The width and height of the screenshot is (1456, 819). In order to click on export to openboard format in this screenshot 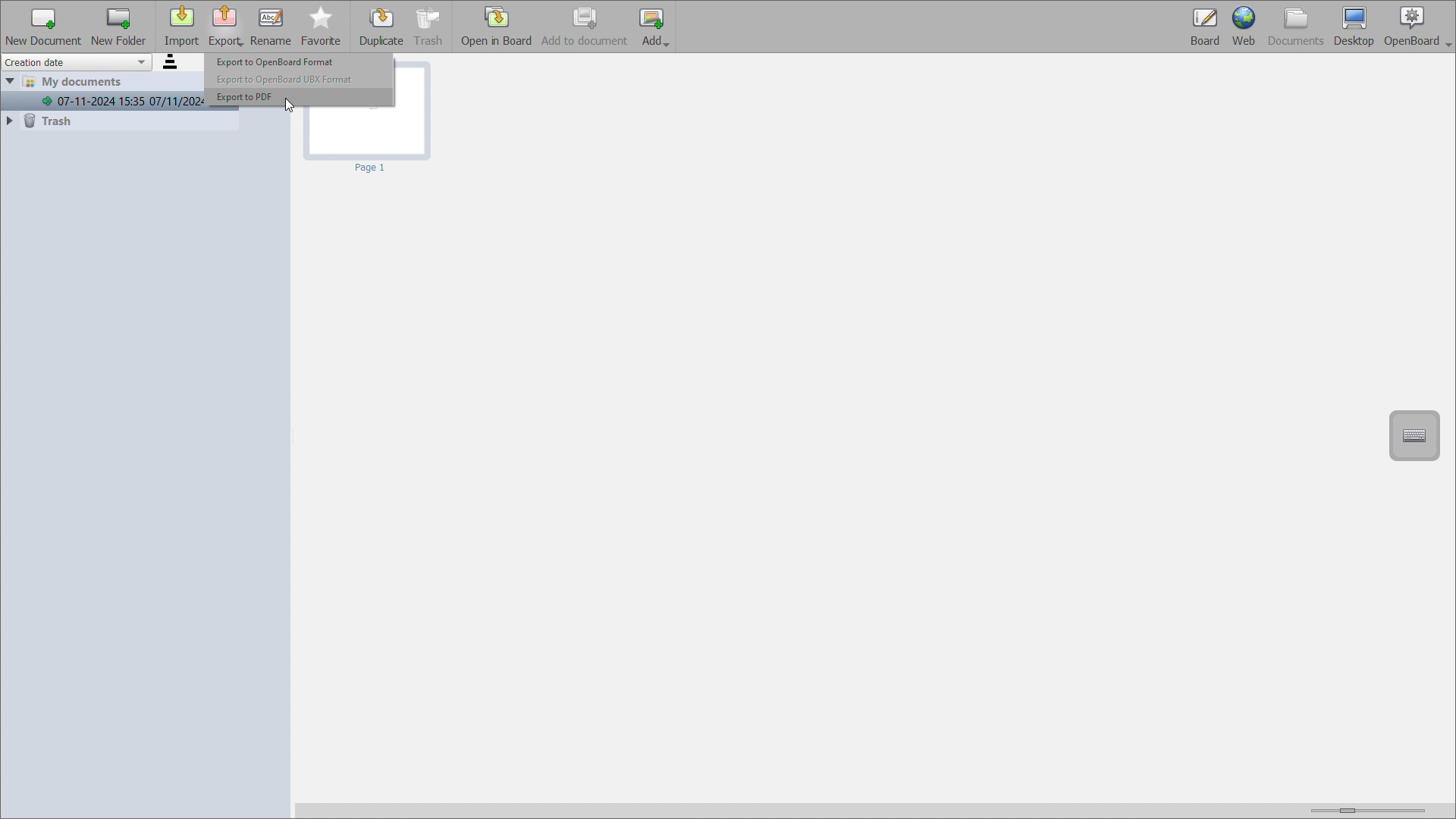, I will do `click(298, 61)`.